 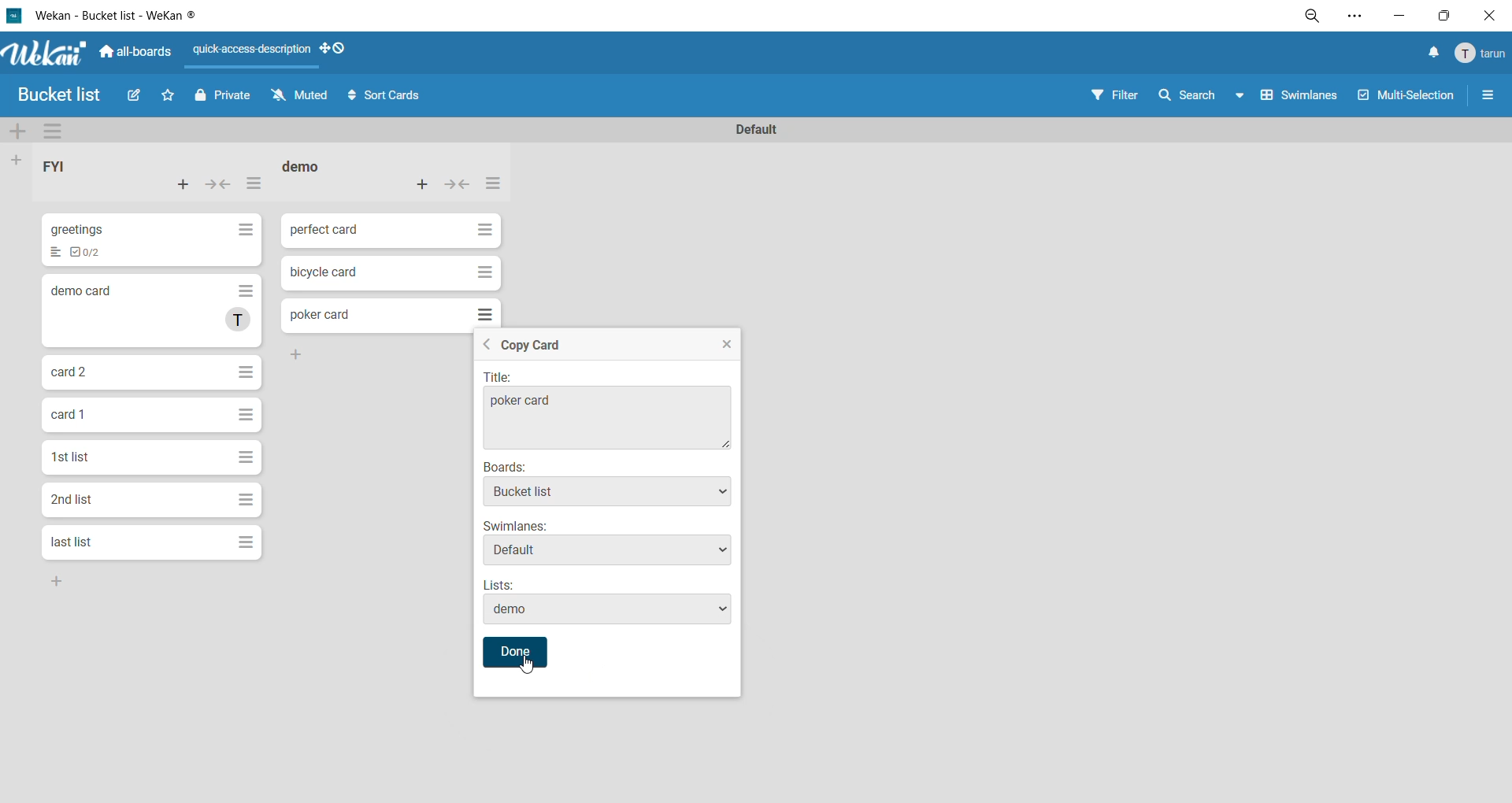 What do you see at coordinates (1206, 94) in the screenshot?
I see `search` at bounding box center [1206, 94].